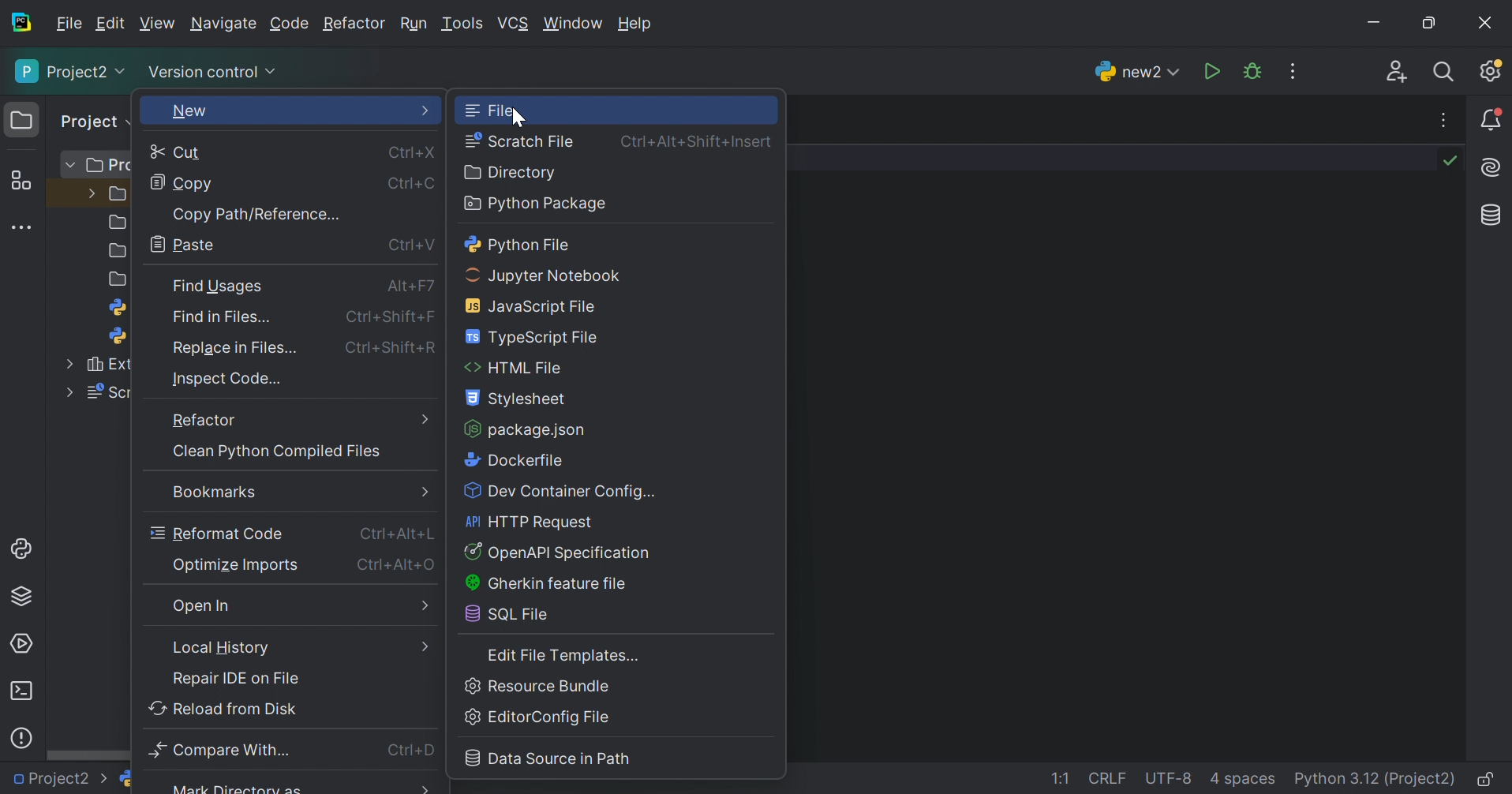  I want to click on CRLF, so click(1110, 780).